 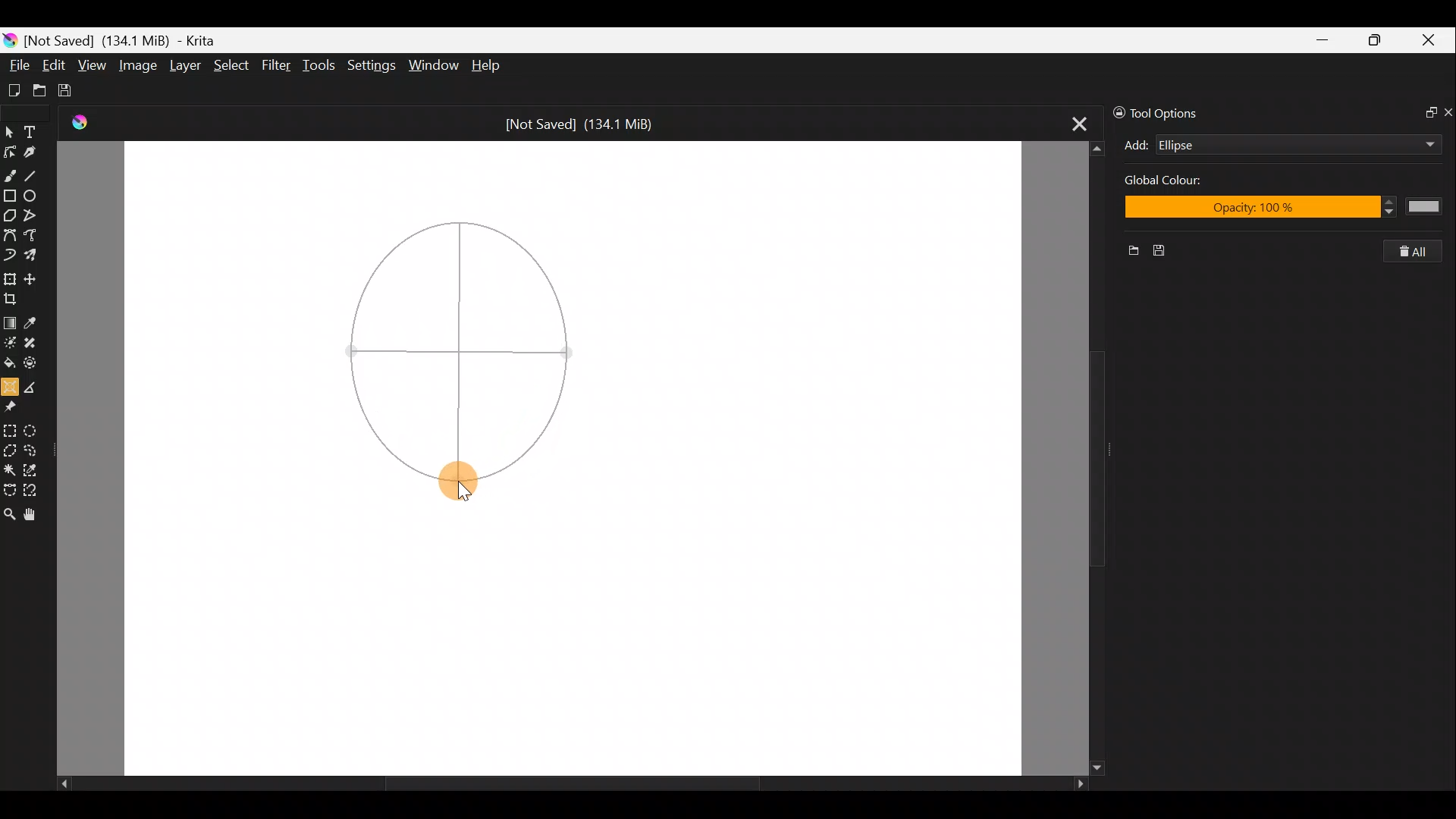 What do you see at coordinates (1432, 41) in the screenshot?
I see `Close` at bounding box center [1432, 41].